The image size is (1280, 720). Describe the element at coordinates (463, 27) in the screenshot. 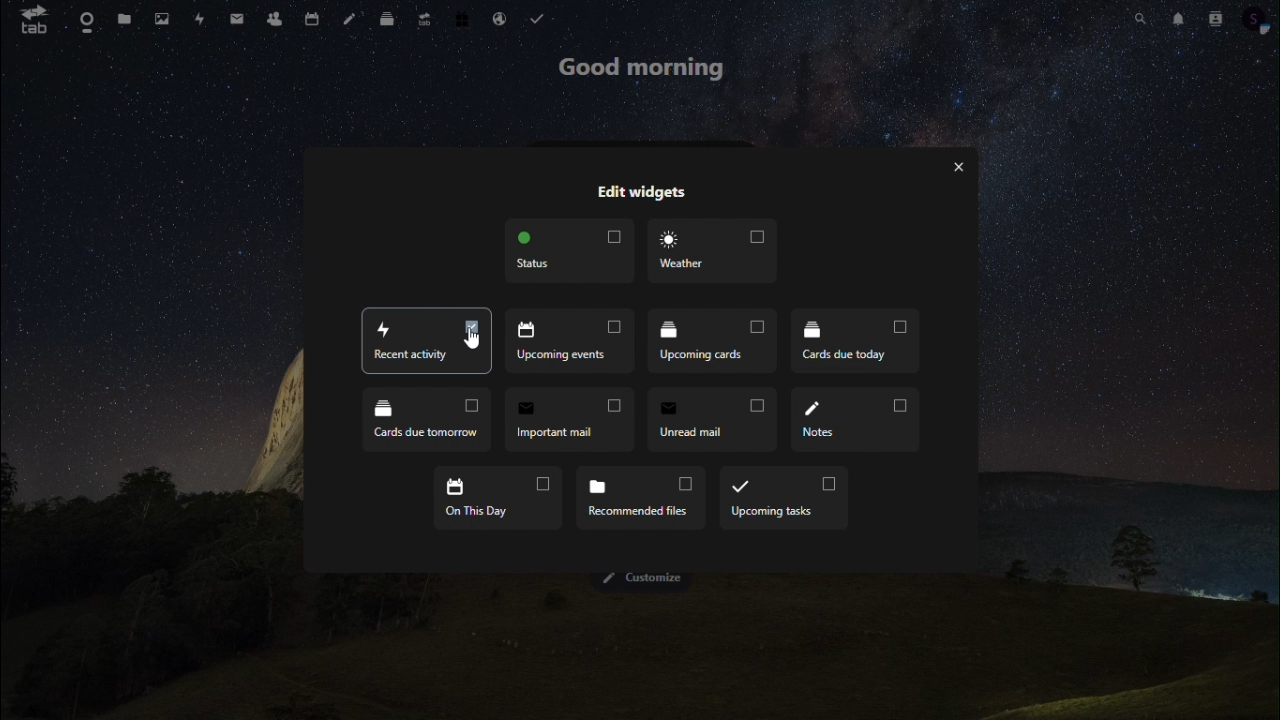

I see `free trial` at that location.